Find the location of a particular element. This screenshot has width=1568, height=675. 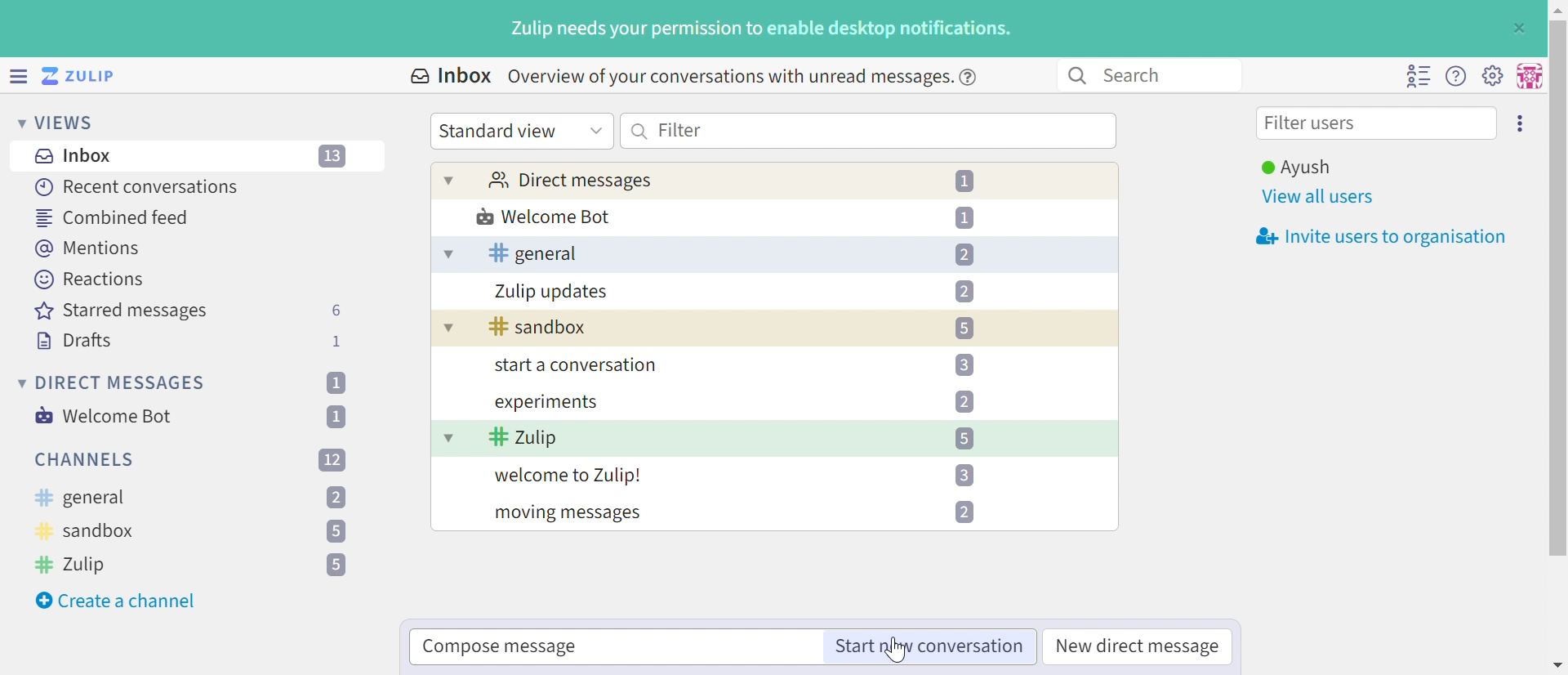

Starred messages is located at coordinates (121, 312).